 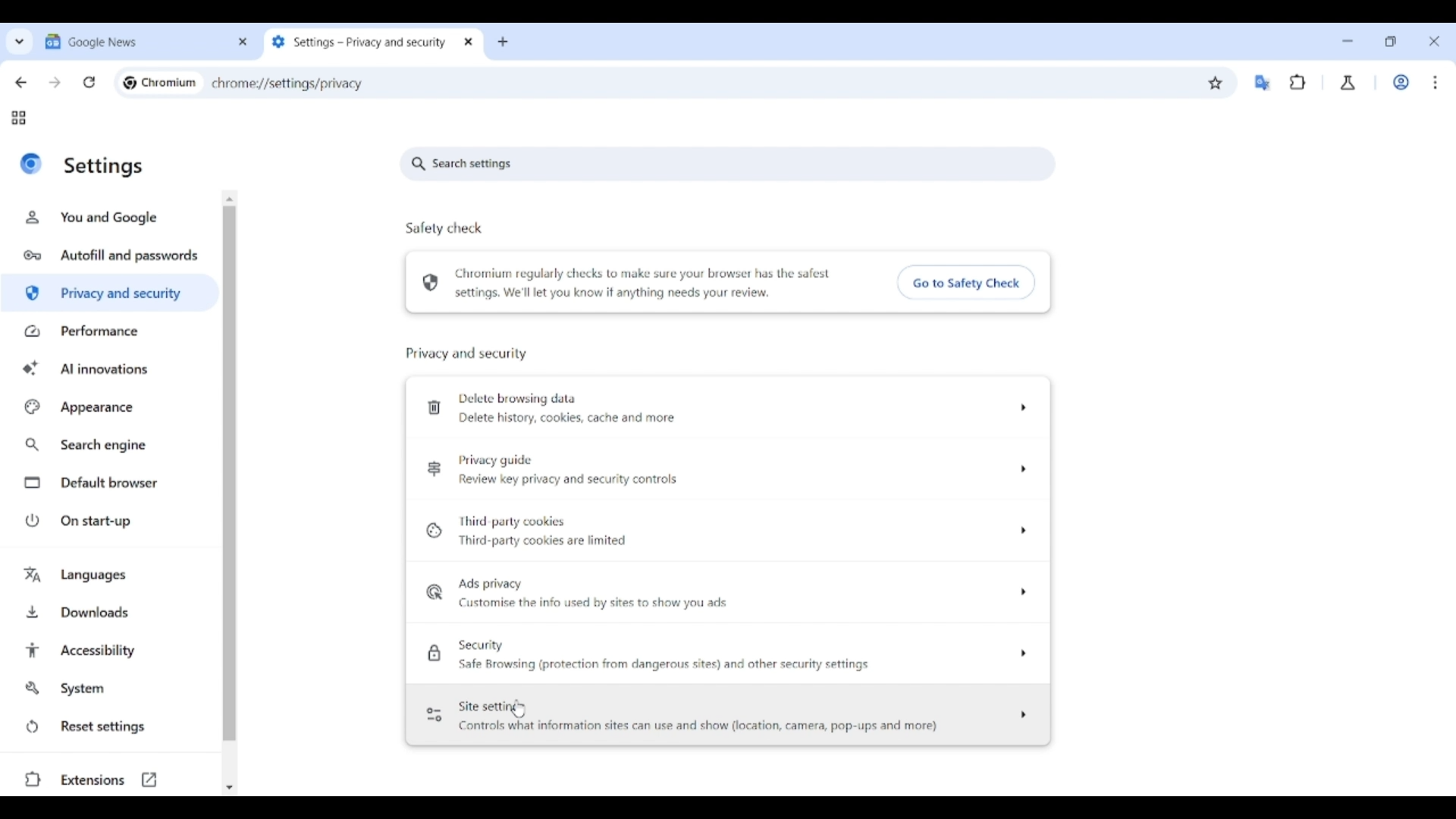 What do you see at coordinates (1401, 82) in the screenshot?
I see `Work` at bounding box center [1401, 82].